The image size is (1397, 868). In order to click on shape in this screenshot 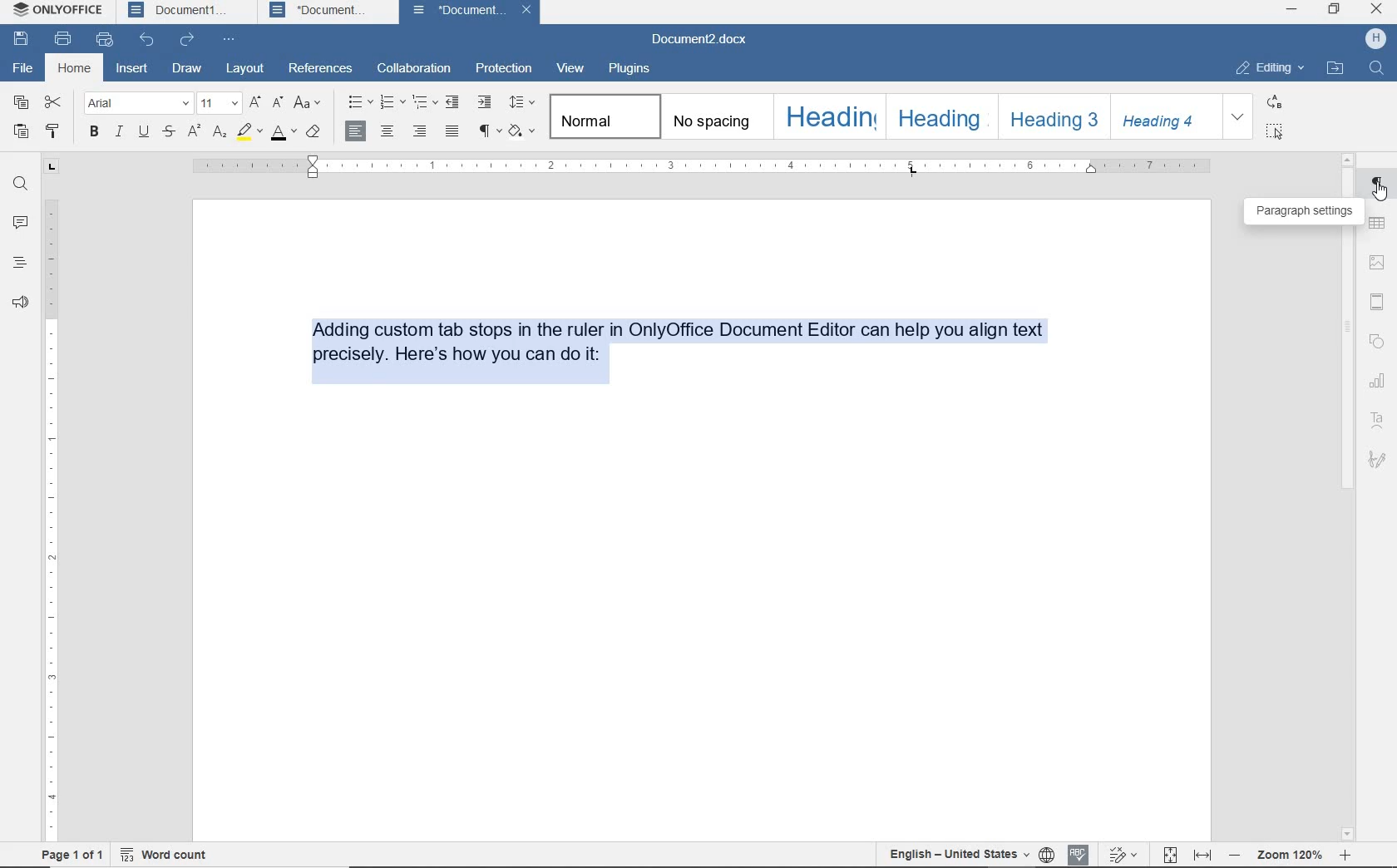, I will do `click(1380, 340)`.